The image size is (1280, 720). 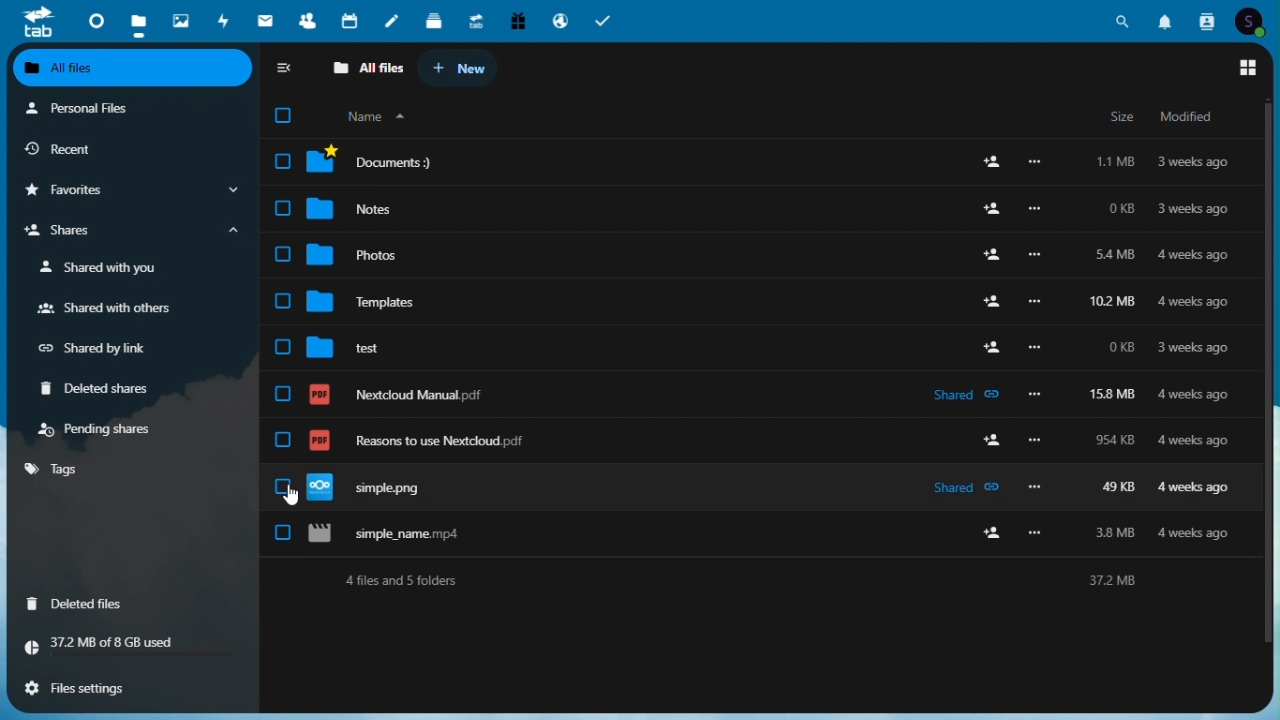 I want to click on organize by name, so click(x=370, y=117).